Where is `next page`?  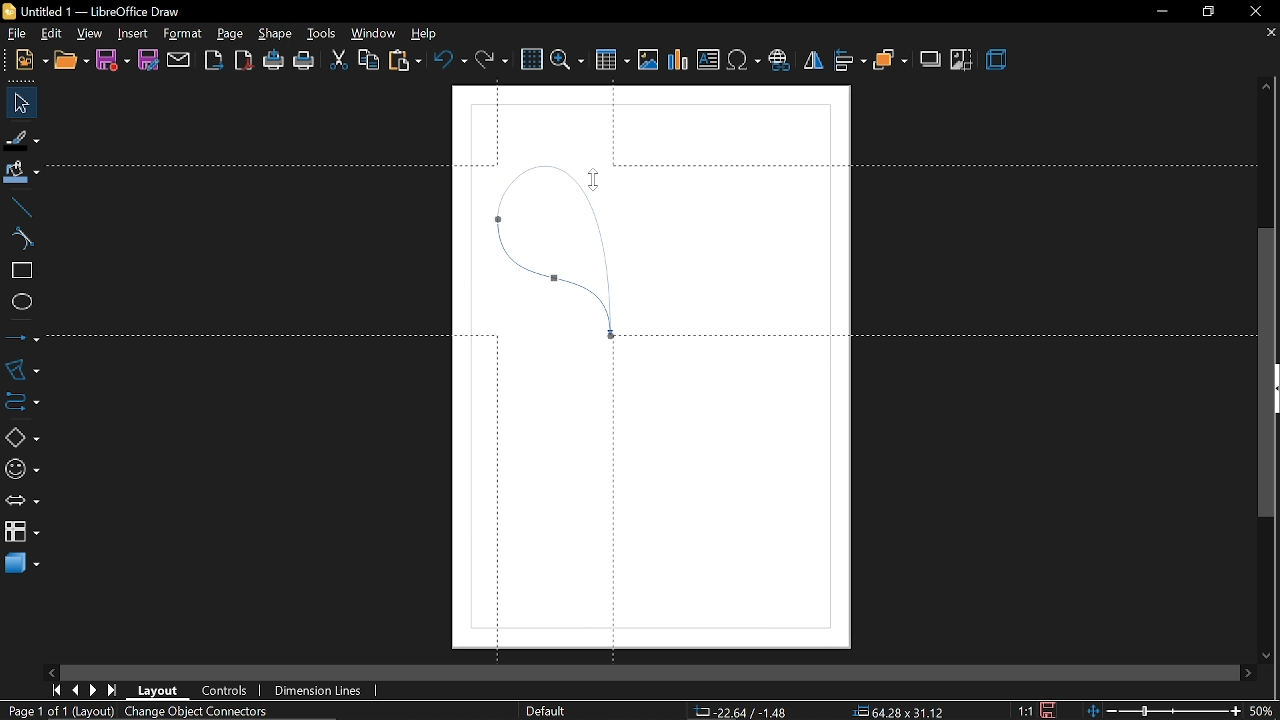 next page is located at coordinates (93, 690).